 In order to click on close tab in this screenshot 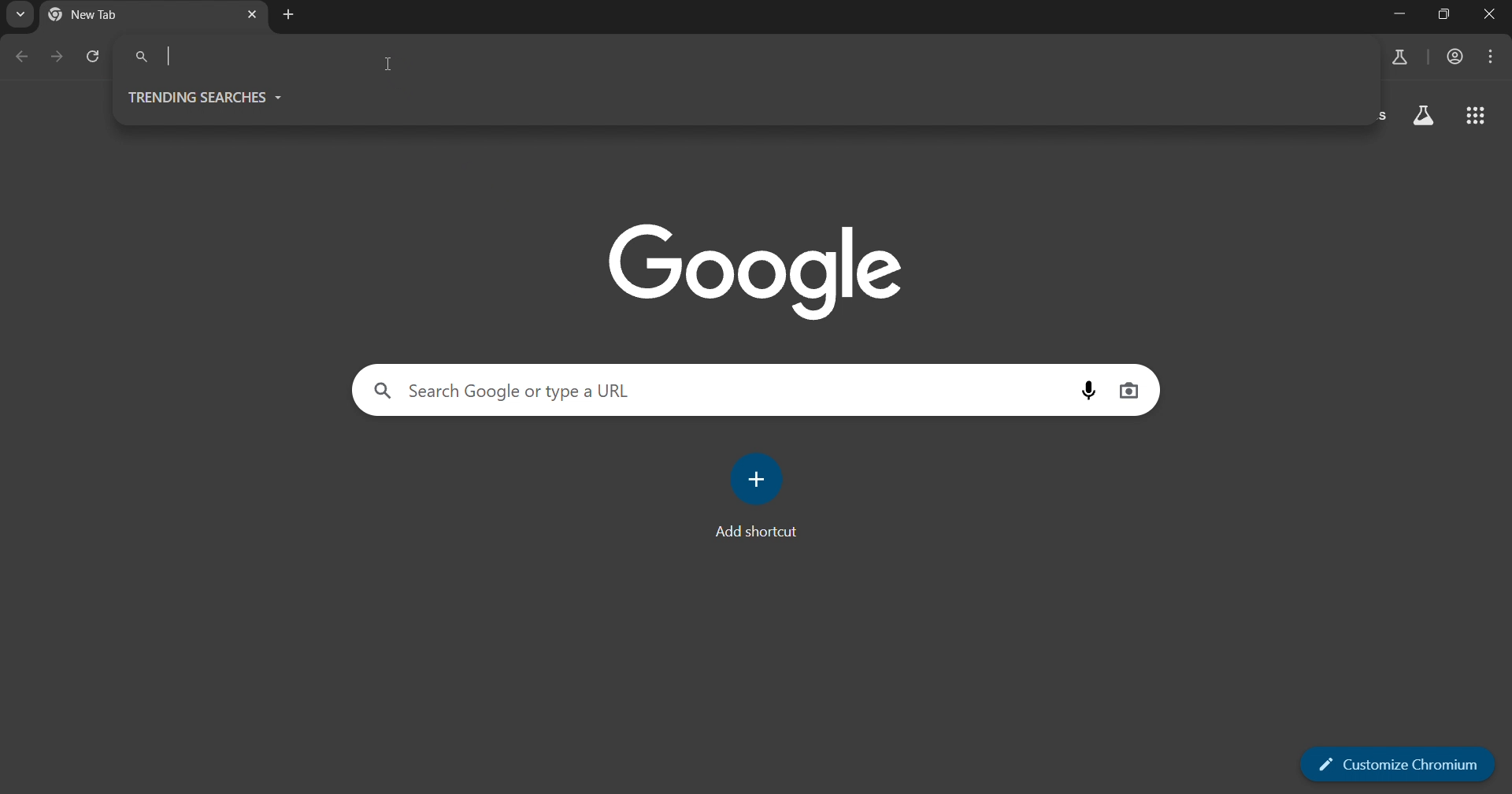, I will do `click(250, 16)`.